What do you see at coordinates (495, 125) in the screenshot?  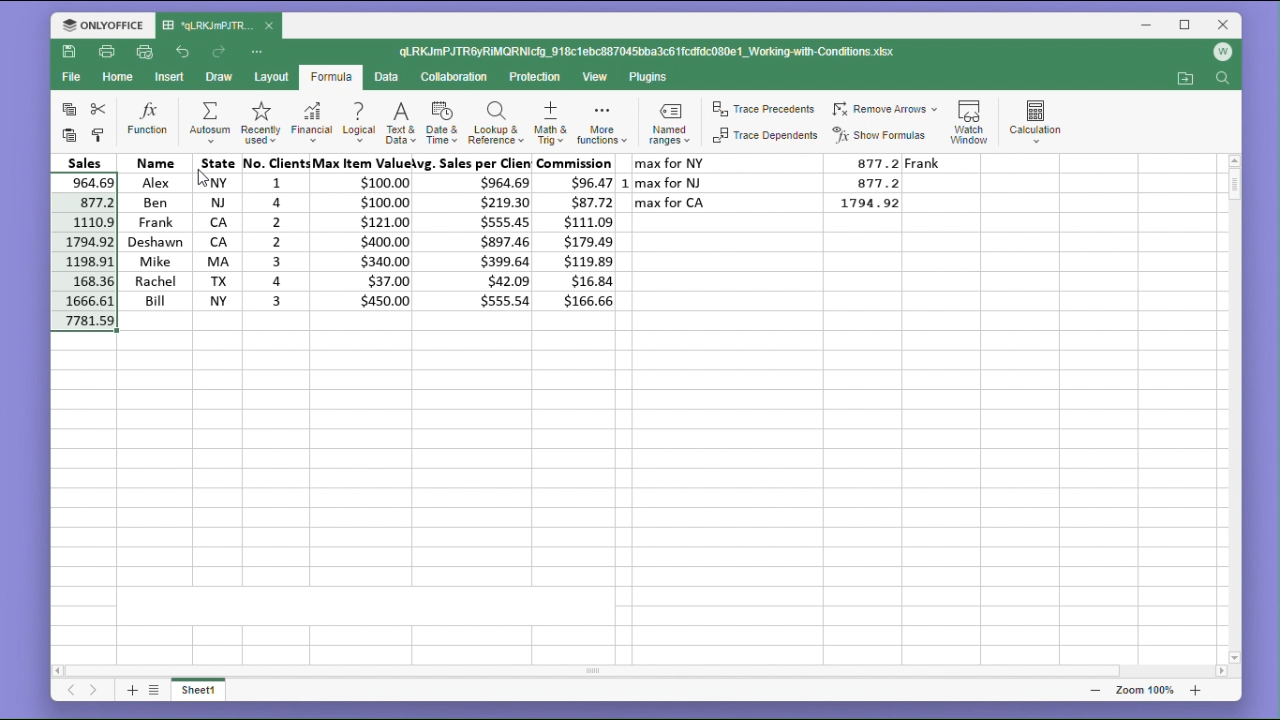 I see `lookup and reference` at bounding box center [495, 125].